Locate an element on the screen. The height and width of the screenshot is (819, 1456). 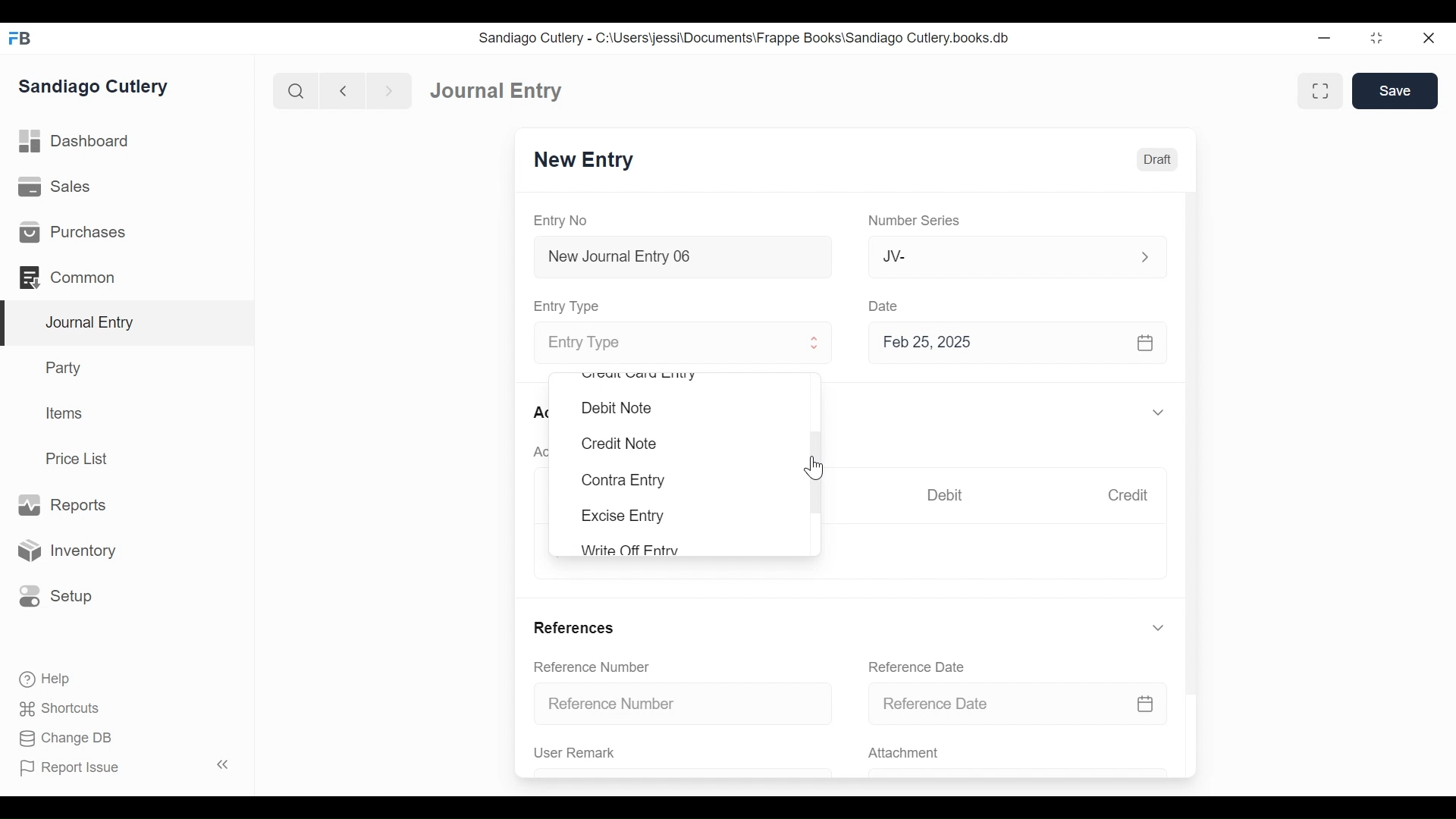
Sales is located at coordinates (60, 187).